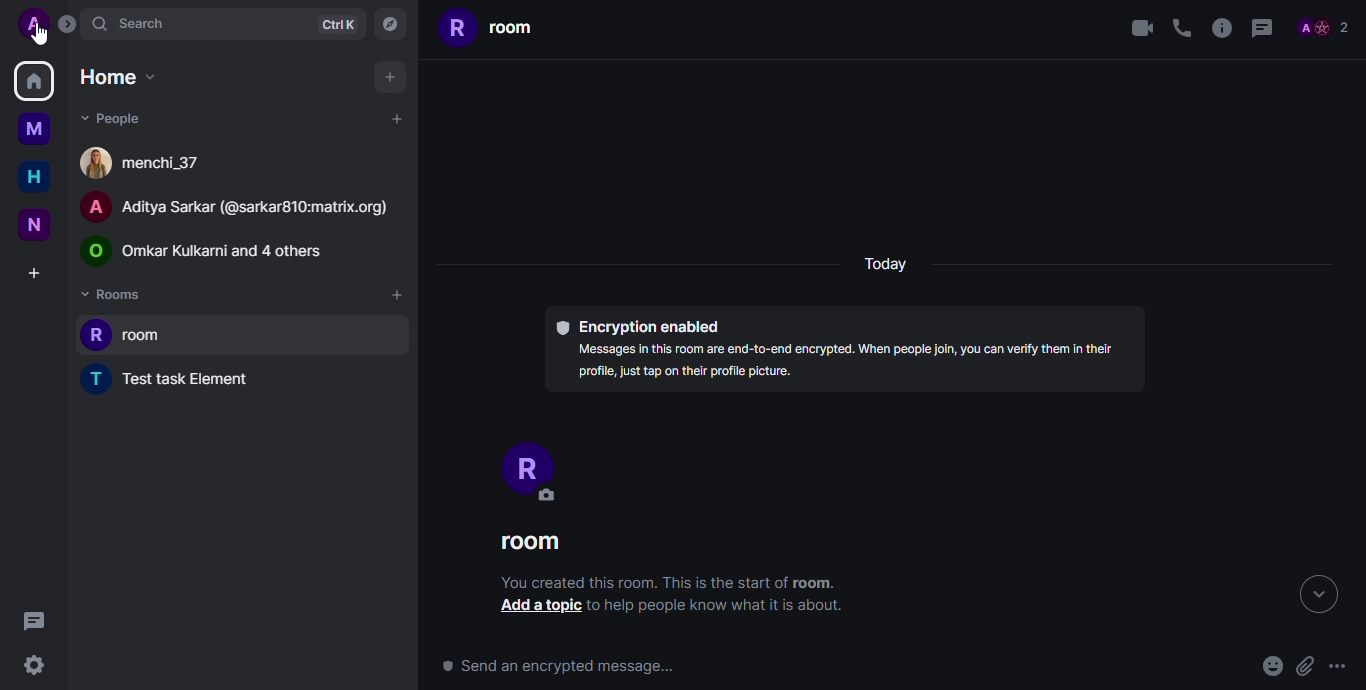 The height and width of the screenshot is (690, 1366). Describe the element at coordinates (116, 119) in the screenshot. I see `people` at that location.